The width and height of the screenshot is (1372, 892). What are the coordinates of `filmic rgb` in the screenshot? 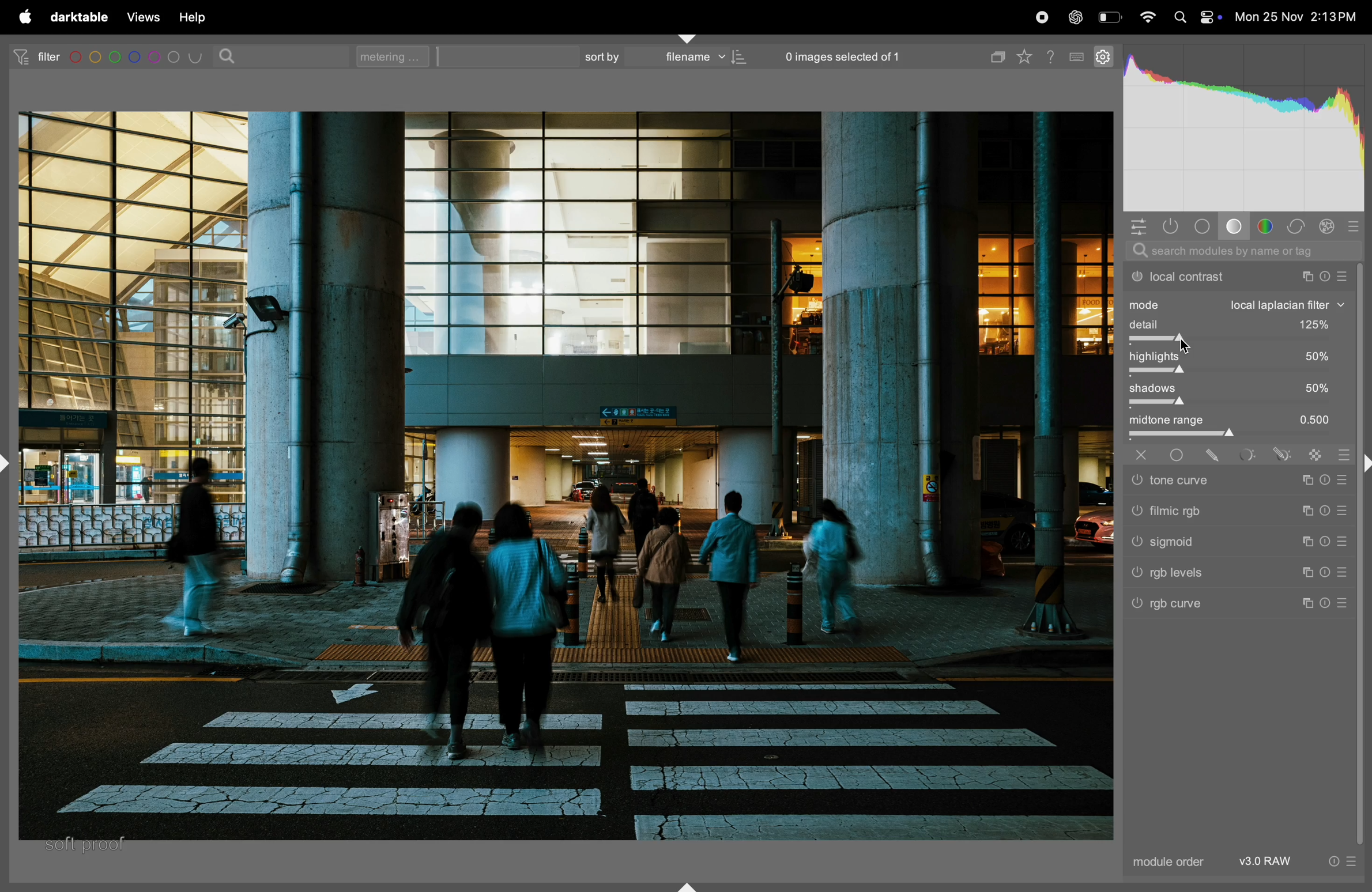 It's located at (1232, 511).